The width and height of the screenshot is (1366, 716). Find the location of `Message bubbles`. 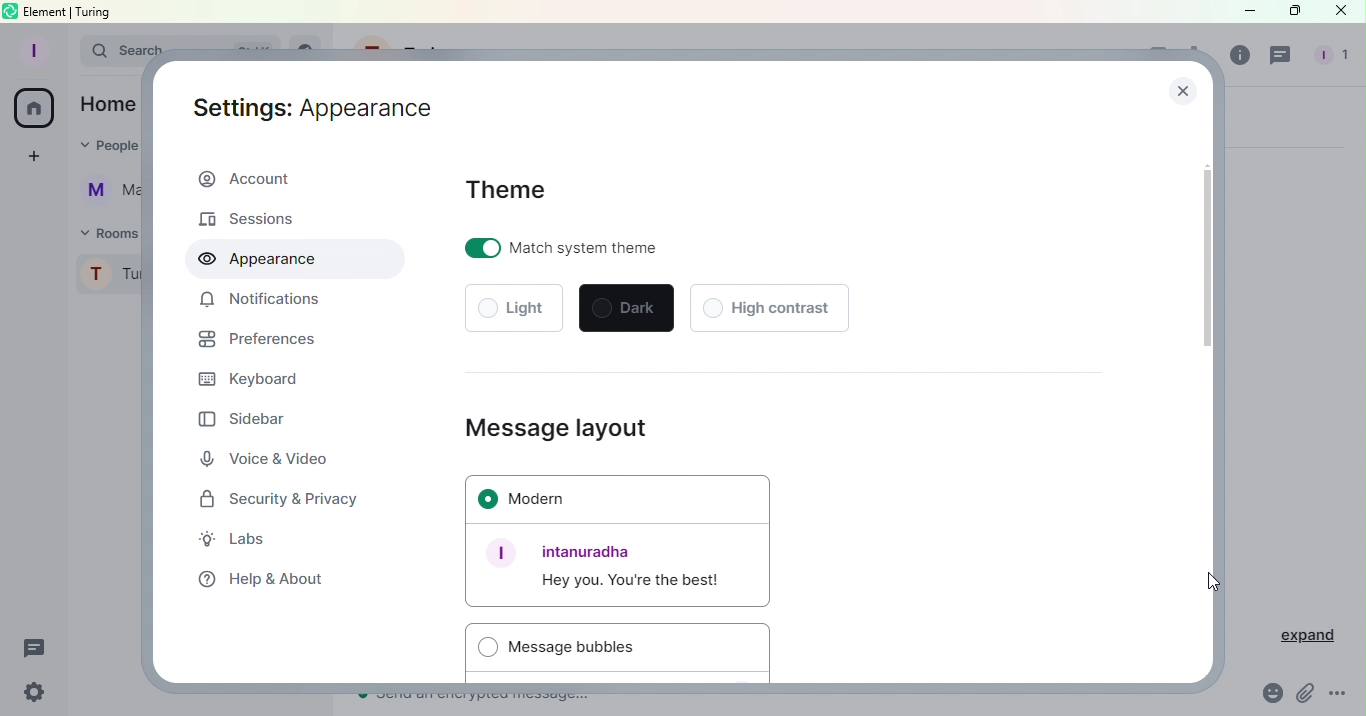

Message bubbles is located at coordinates (618, 649).